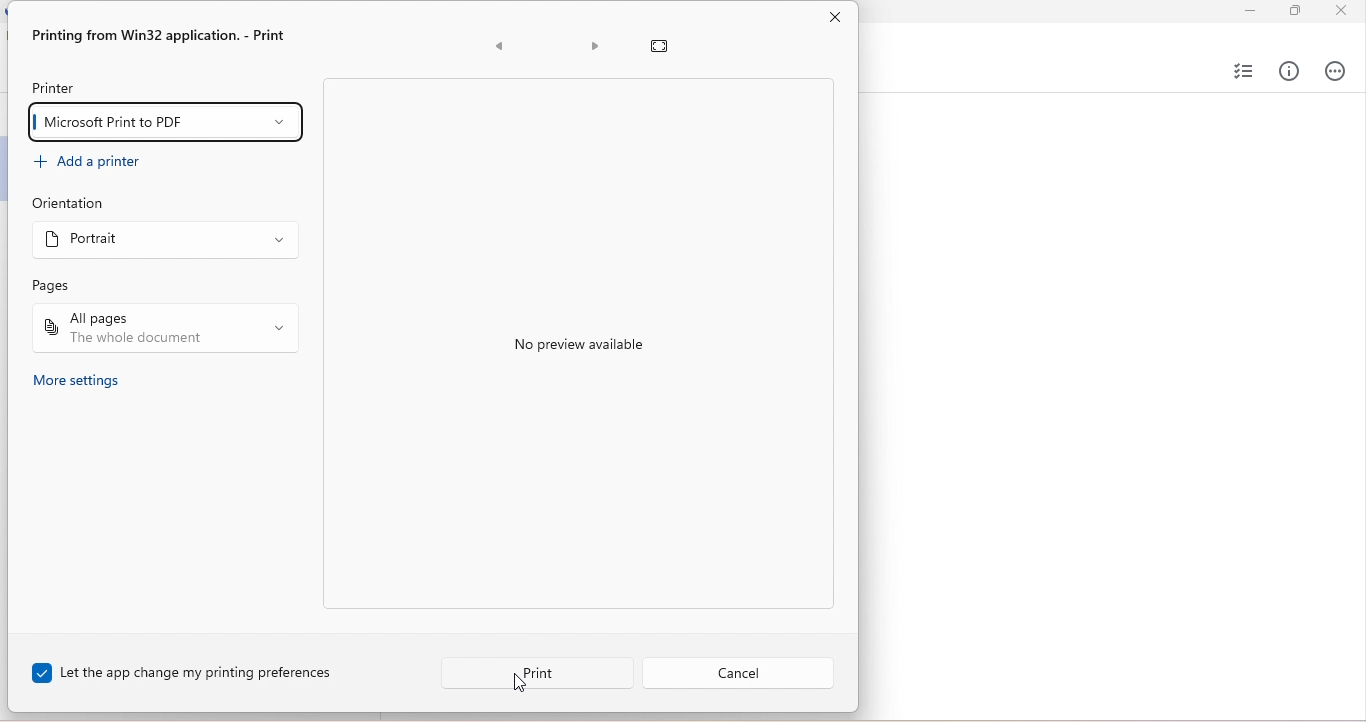 Image resolution: width=1366 pixels, height=722 pixels. Describe the element at coordinates (166, 242) in the screenshot. I see `select orientation` at that location.